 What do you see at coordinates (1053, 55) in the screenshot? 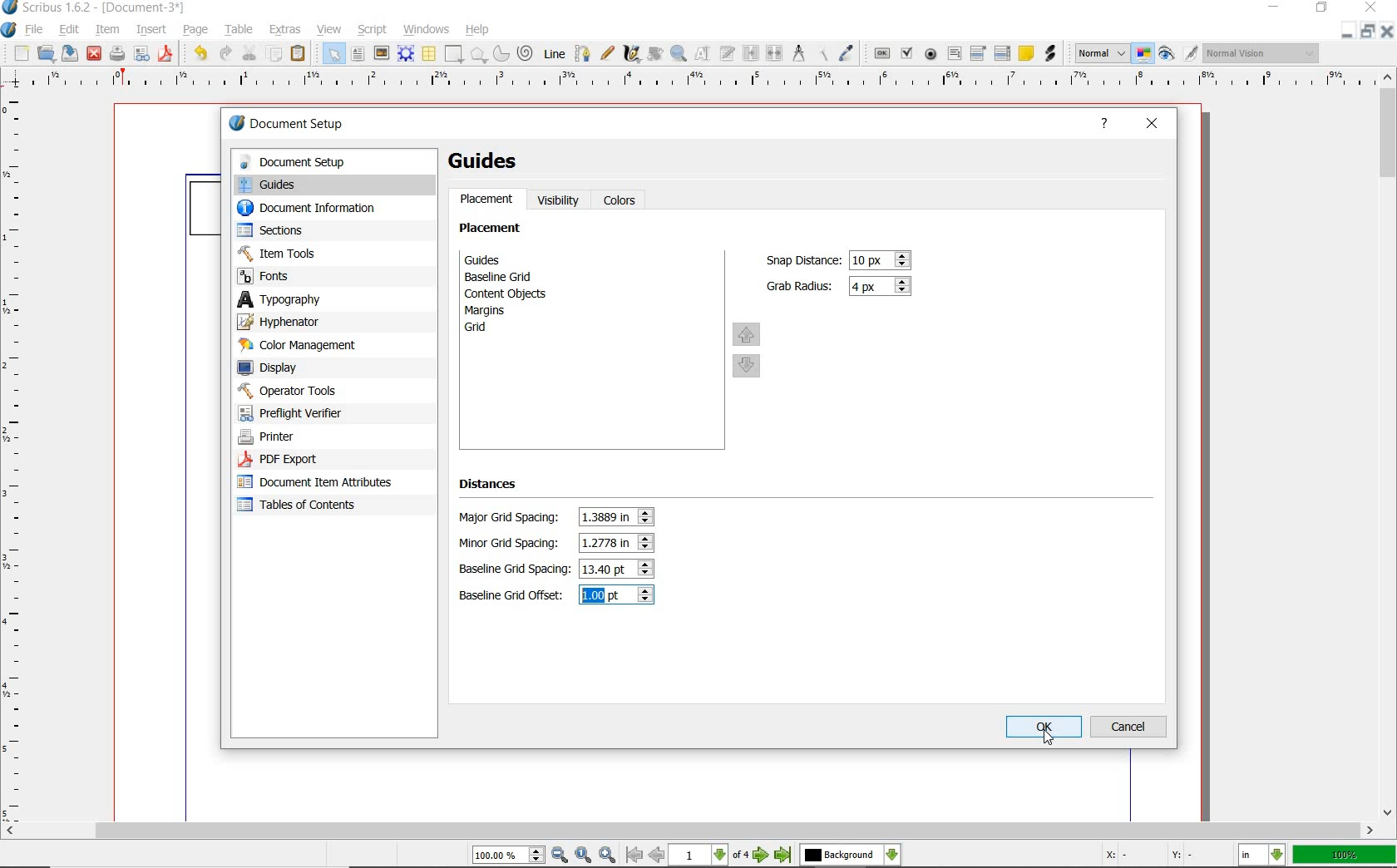
I see `link annotation` at bounding box center [1053, 55].